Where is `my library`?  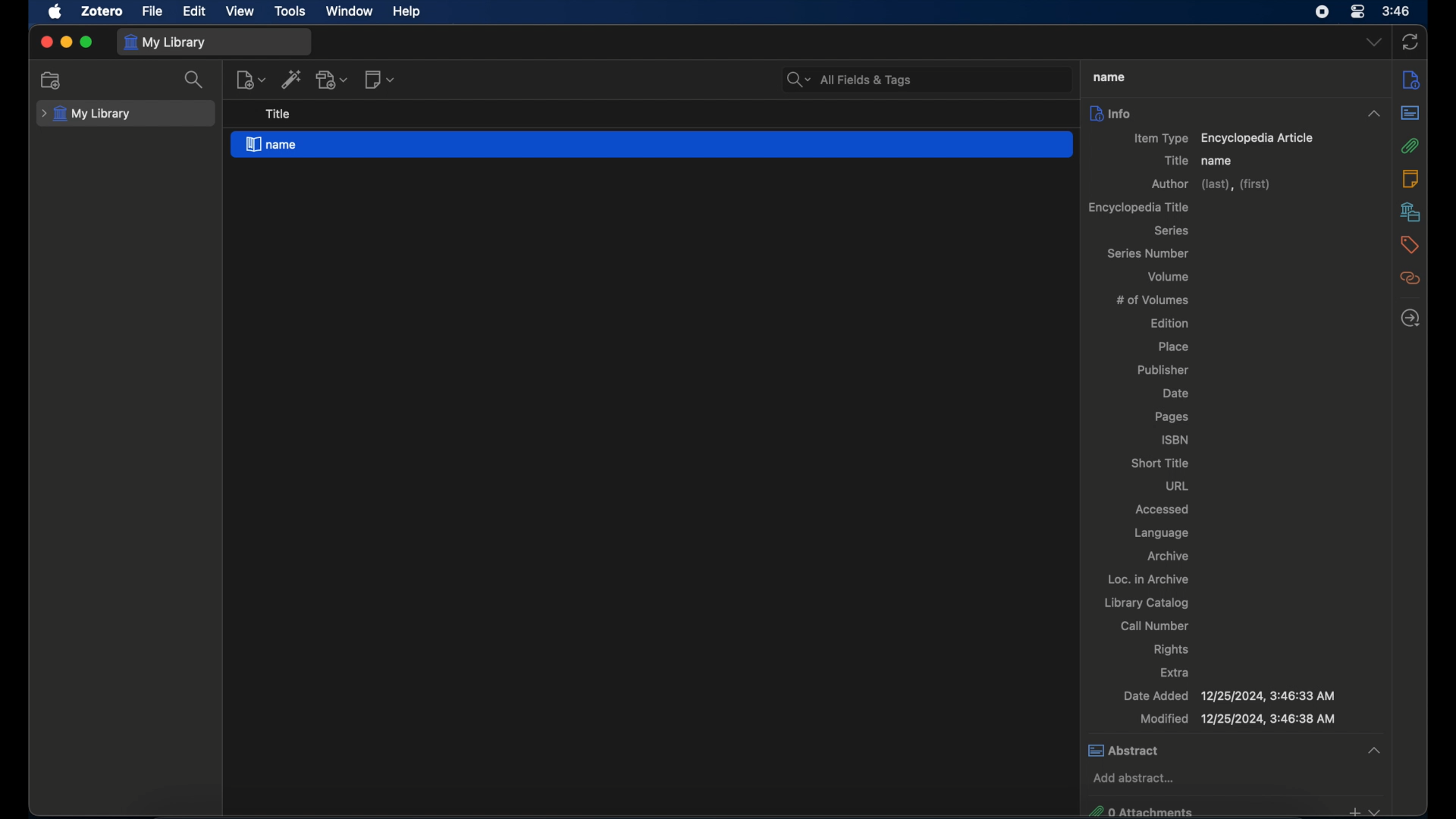
my library is located at coordinates (88, 114).